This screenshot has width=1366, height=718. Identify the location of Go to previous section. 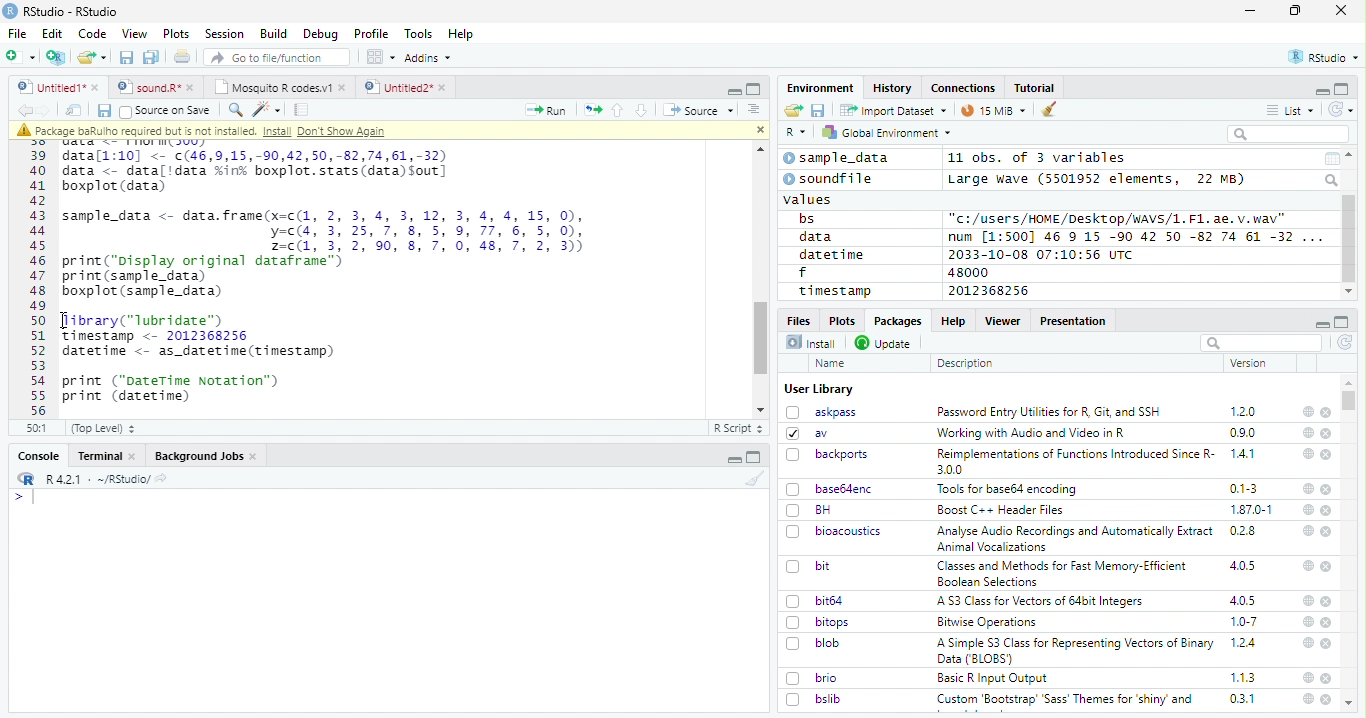
(619, 110).